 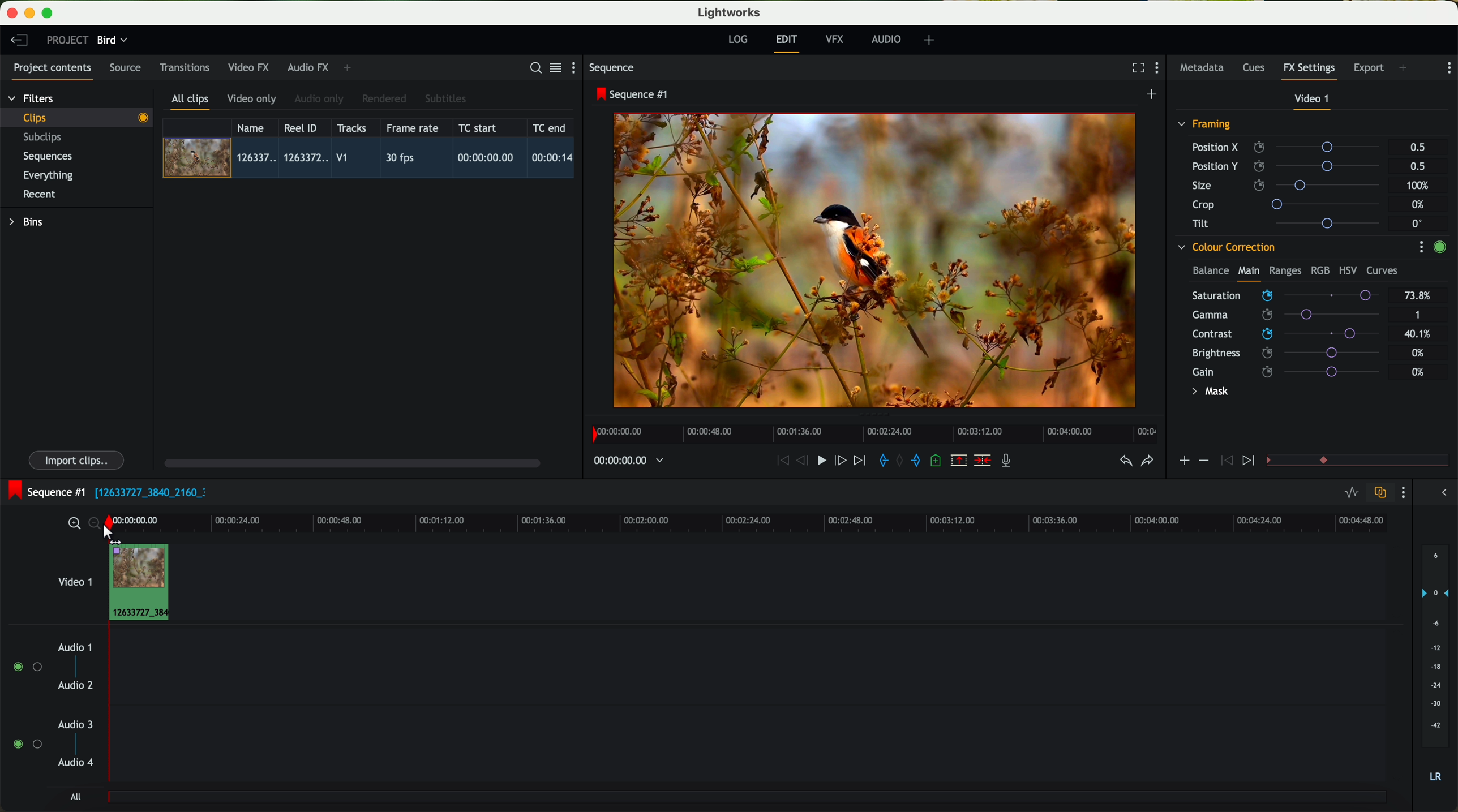 I want to click on undo, so click(x=1125, y=461).